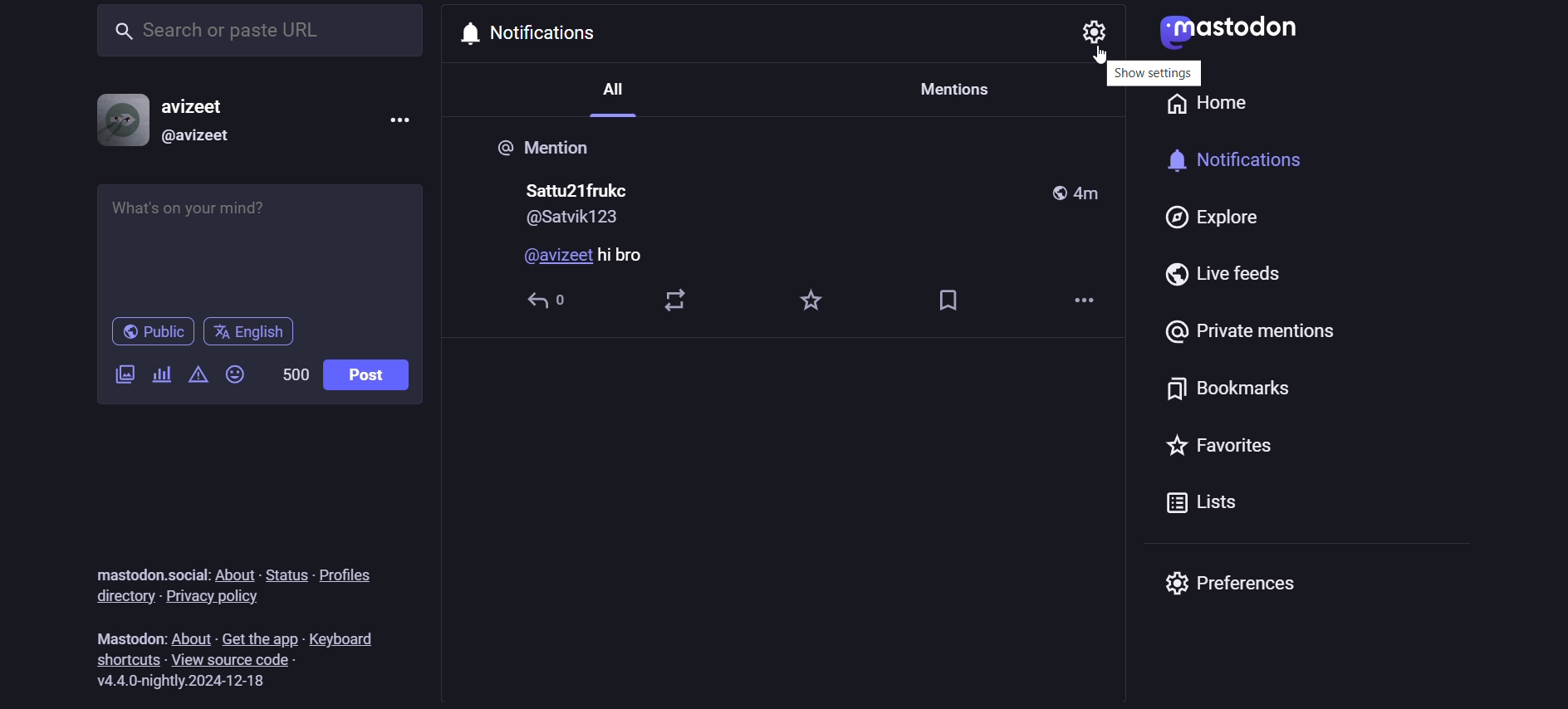 The image size is (1568, 709). Describe the element at coordinates (192, 636) in the screenshot. I see `About` at that location.